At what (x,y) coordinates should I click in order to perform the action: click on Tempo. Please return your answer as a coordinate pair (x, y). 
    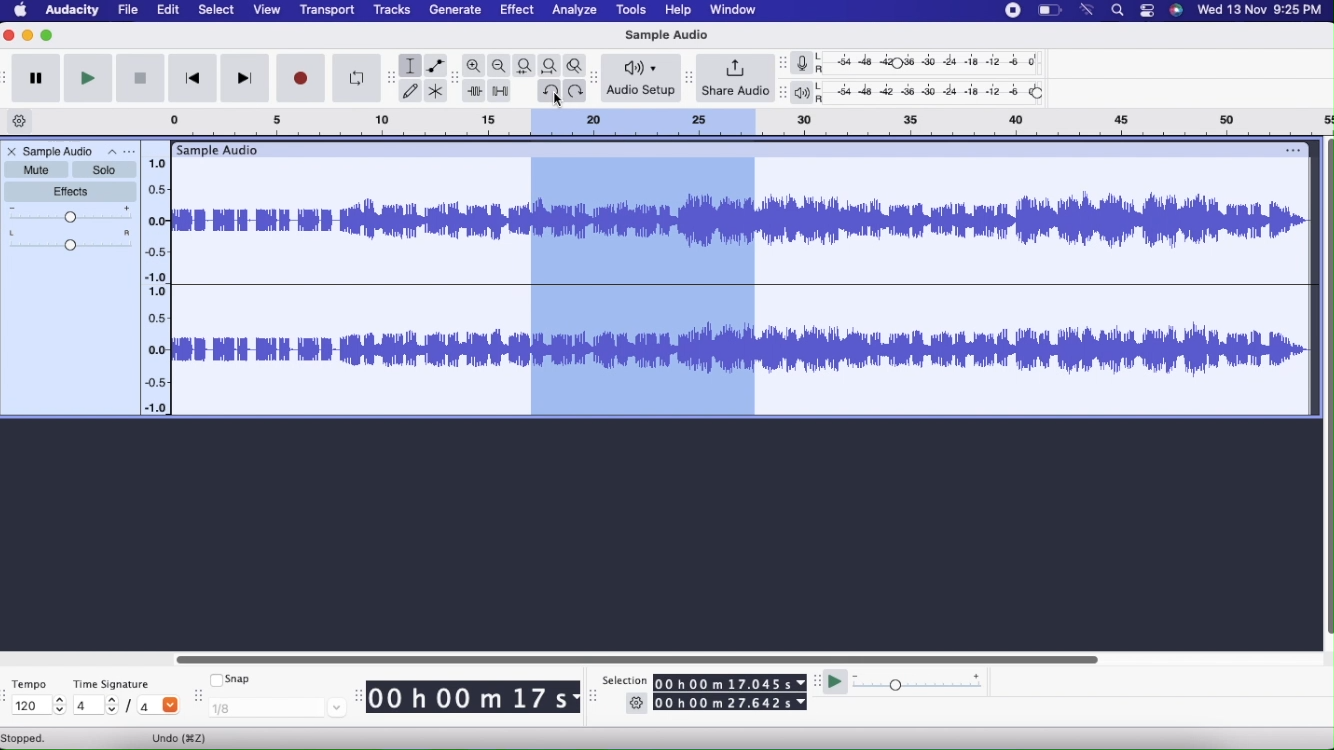
    Looking at the image, I should click on (30, 686).